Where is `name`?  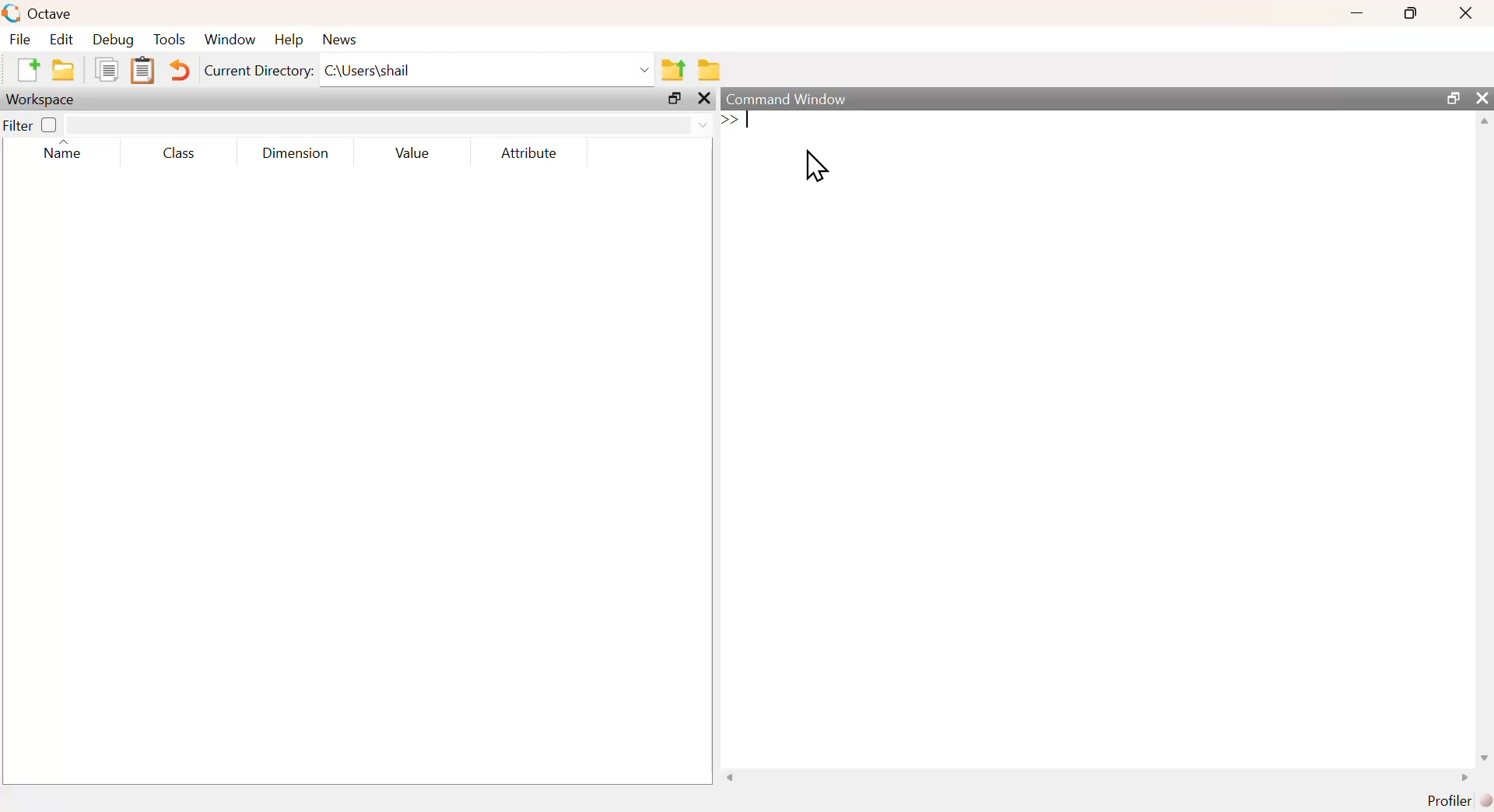 name is located at coordinates (55, 153).